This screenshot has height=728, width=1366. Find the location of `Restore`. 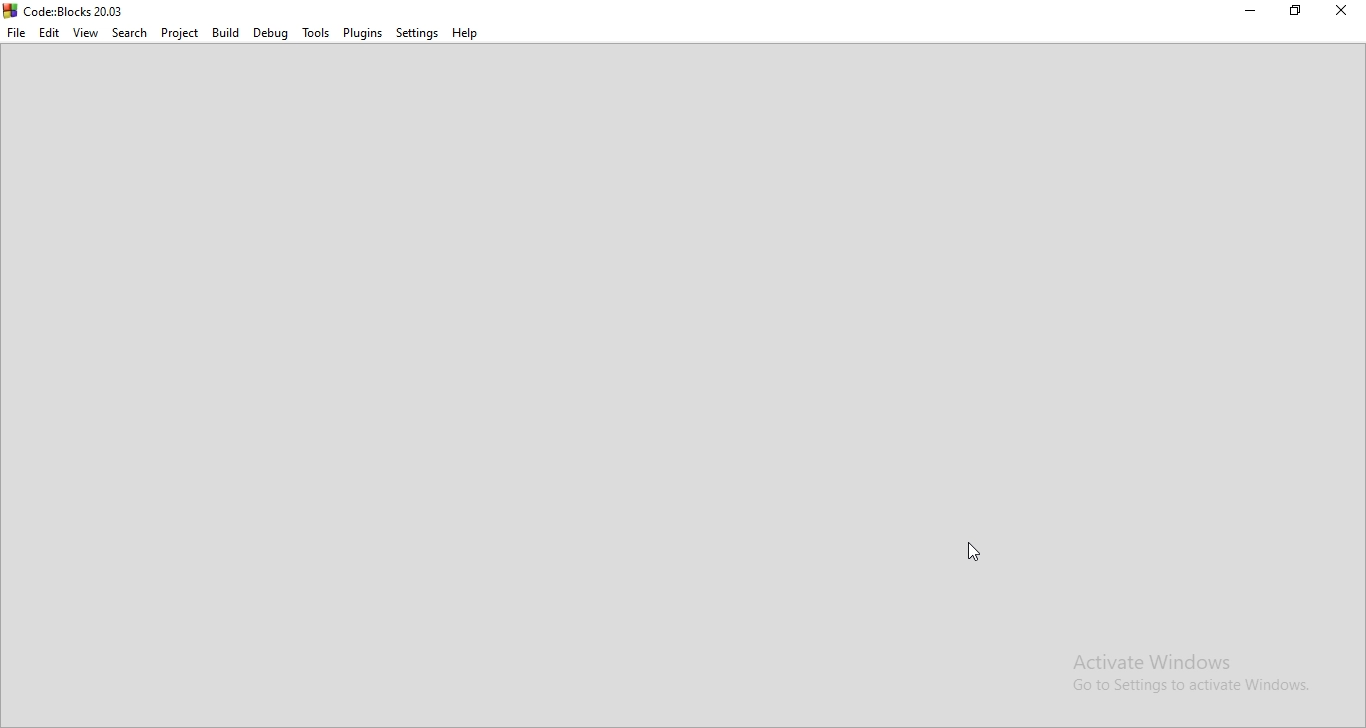

Restore is located at coordinates (1292, 11).